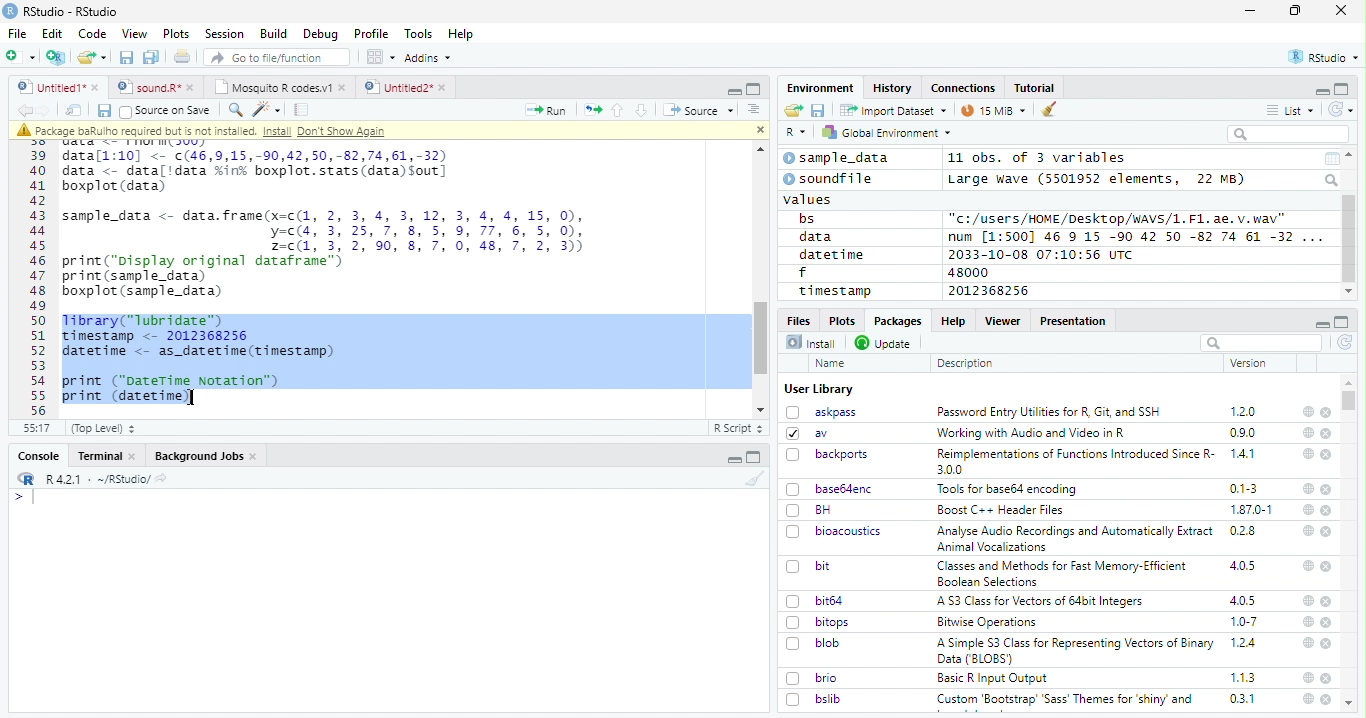  Describe the element at coordinates (1350, 400) in the screenshot. I see `scroll bar` at that location.